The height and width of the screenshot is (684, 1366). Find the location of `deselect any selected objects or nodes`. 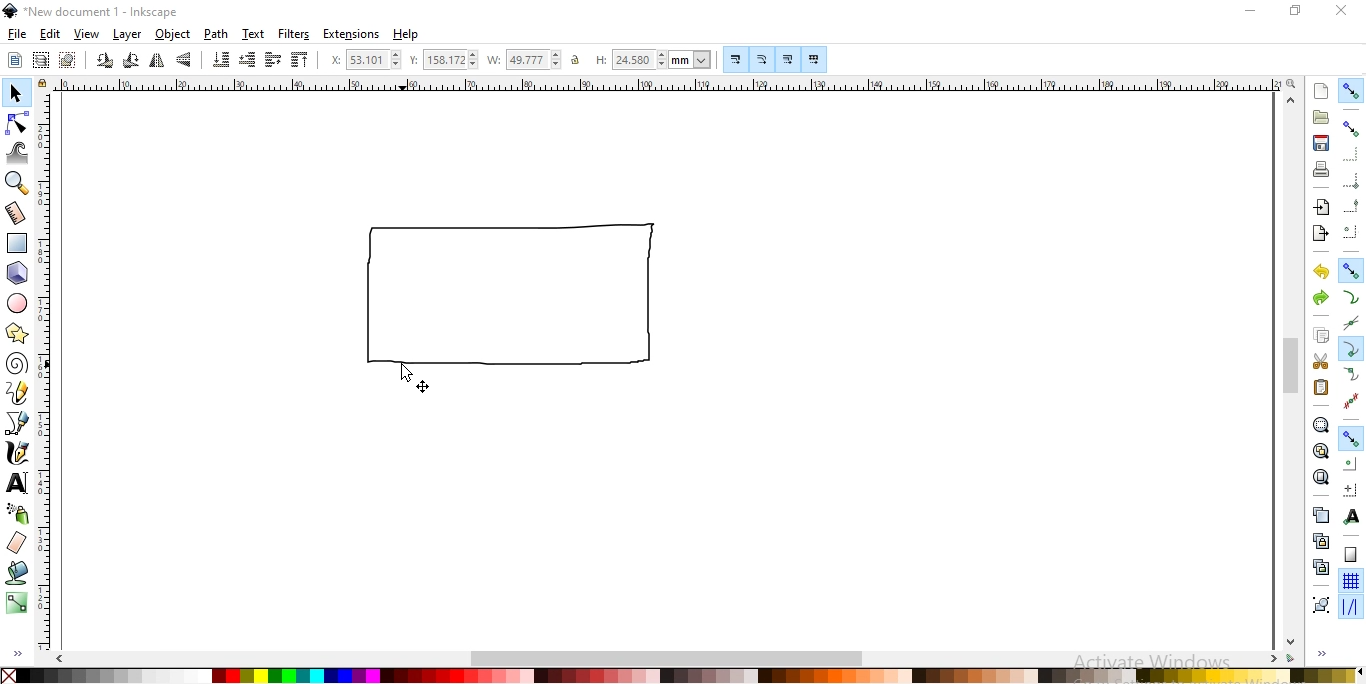

deselect any selected objects or nodes is located at coordinates (68, 60).